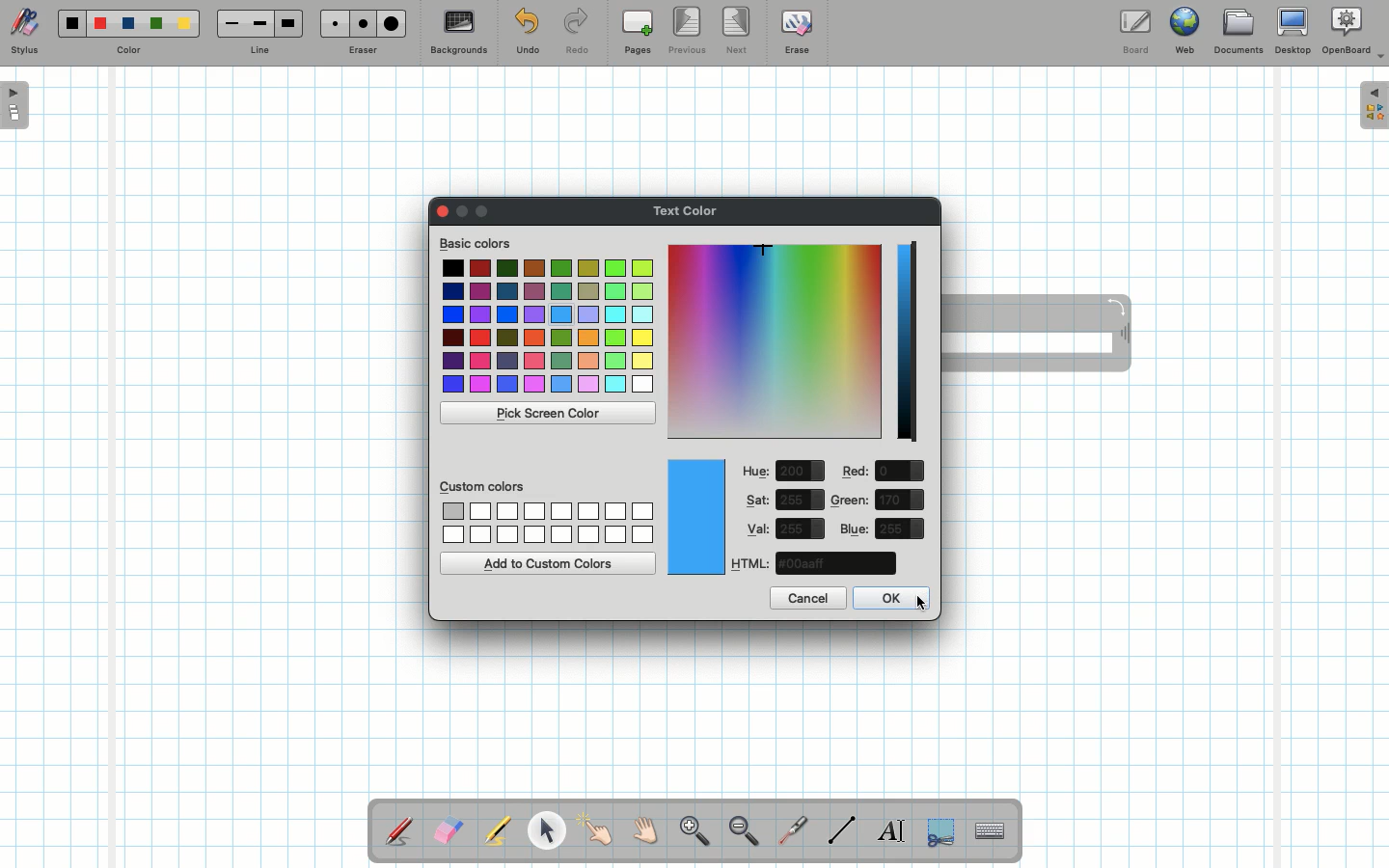 The height and width of the screenshot is (868, 1389). What do you see at coordinates (549, 563) in the screenshot?
I see `Add to custom colors` at bounding box center [549, 563].